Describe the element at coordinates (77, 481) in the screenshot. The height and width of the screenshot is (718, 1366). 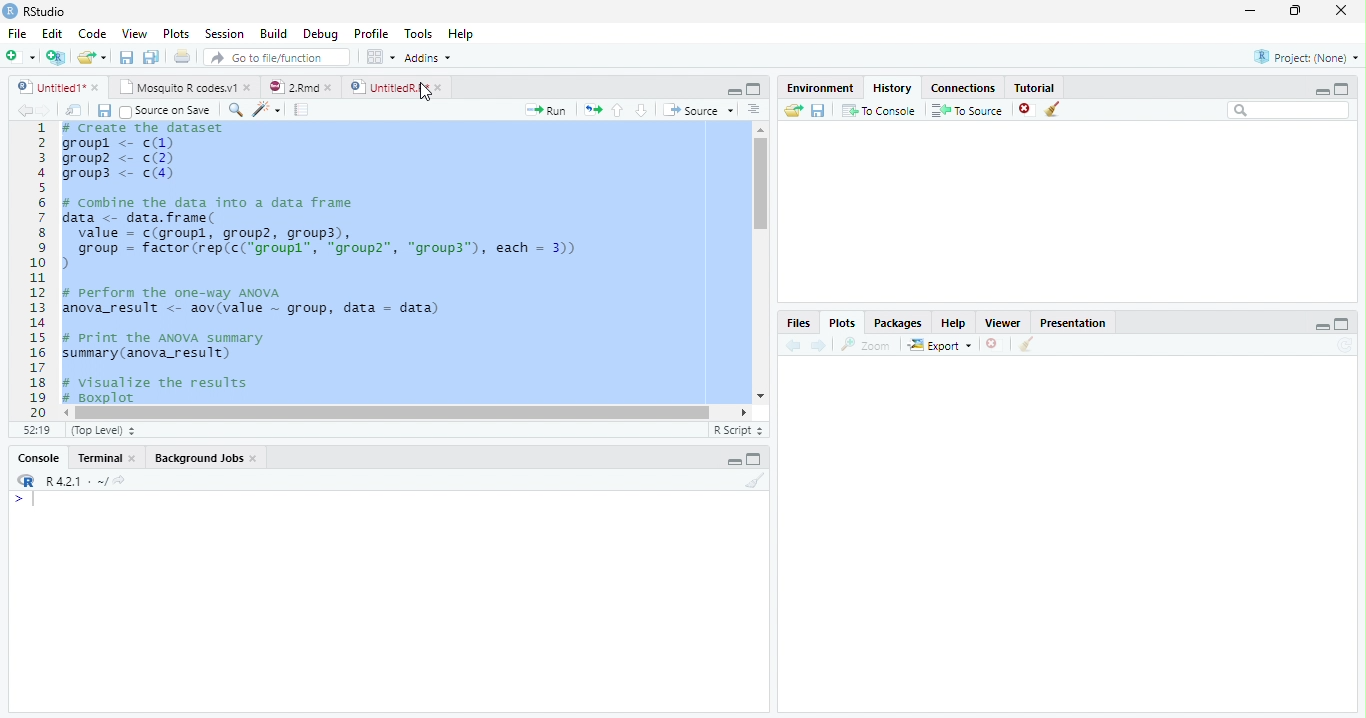
I see `R 4.2.1 ~/` at that location.